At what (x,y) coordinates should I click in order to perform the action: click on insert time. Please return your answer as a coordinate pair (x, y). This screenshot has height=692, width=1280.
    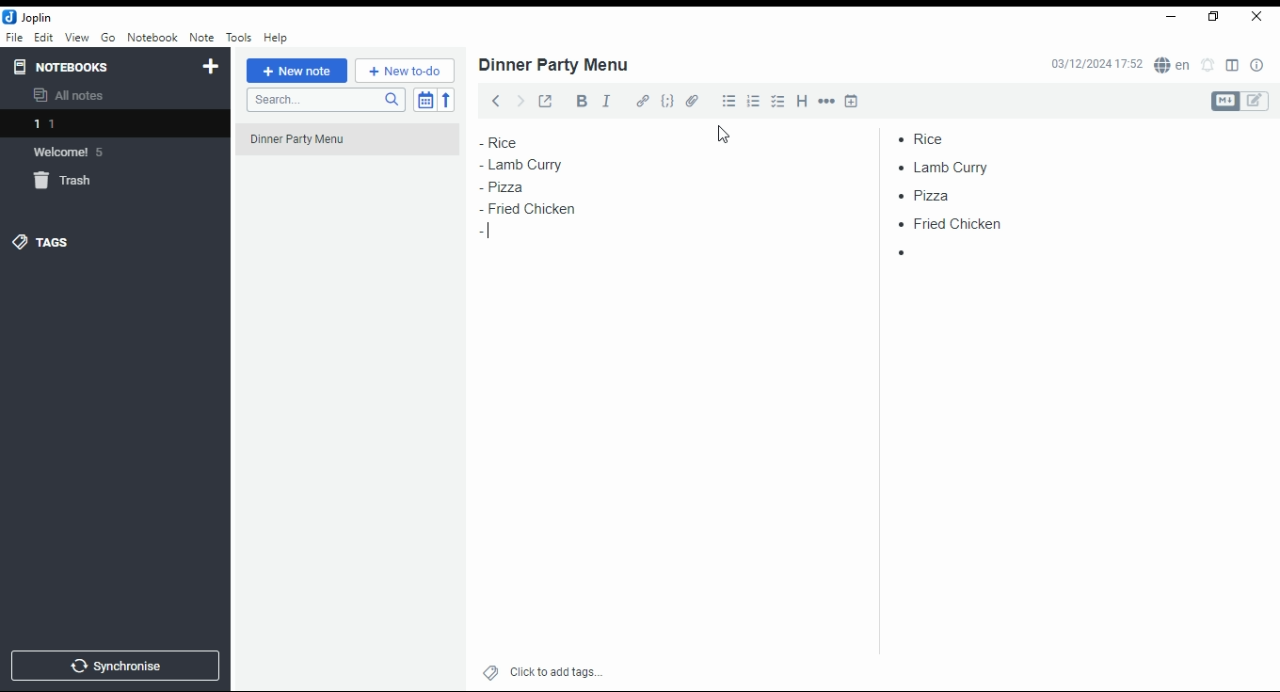
    Looking at the image, I should click on (851, 100).